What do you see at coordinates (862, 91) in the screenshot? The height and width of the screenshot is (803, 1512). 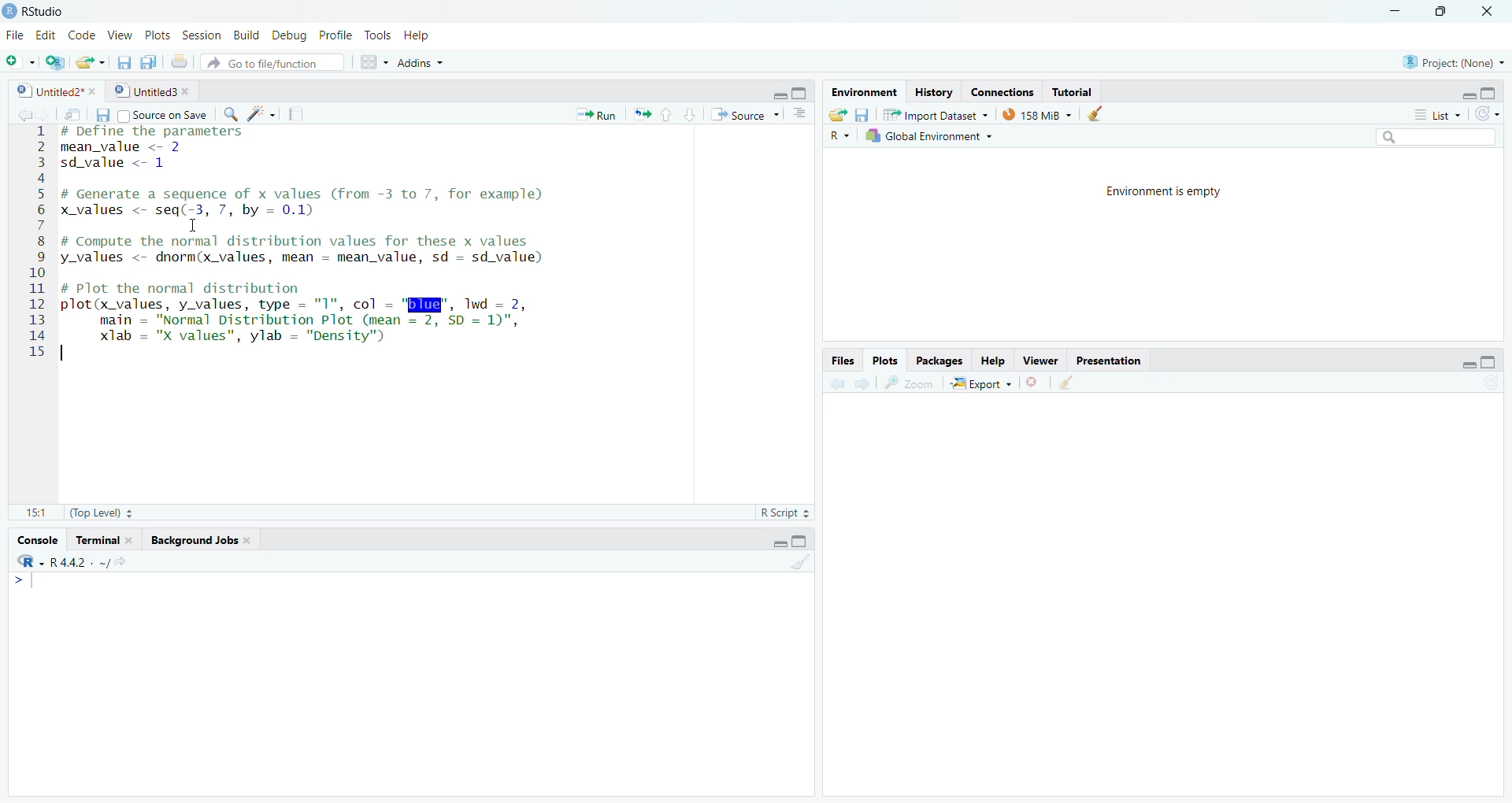 I see `Environment` at bounding box center [862, 91].